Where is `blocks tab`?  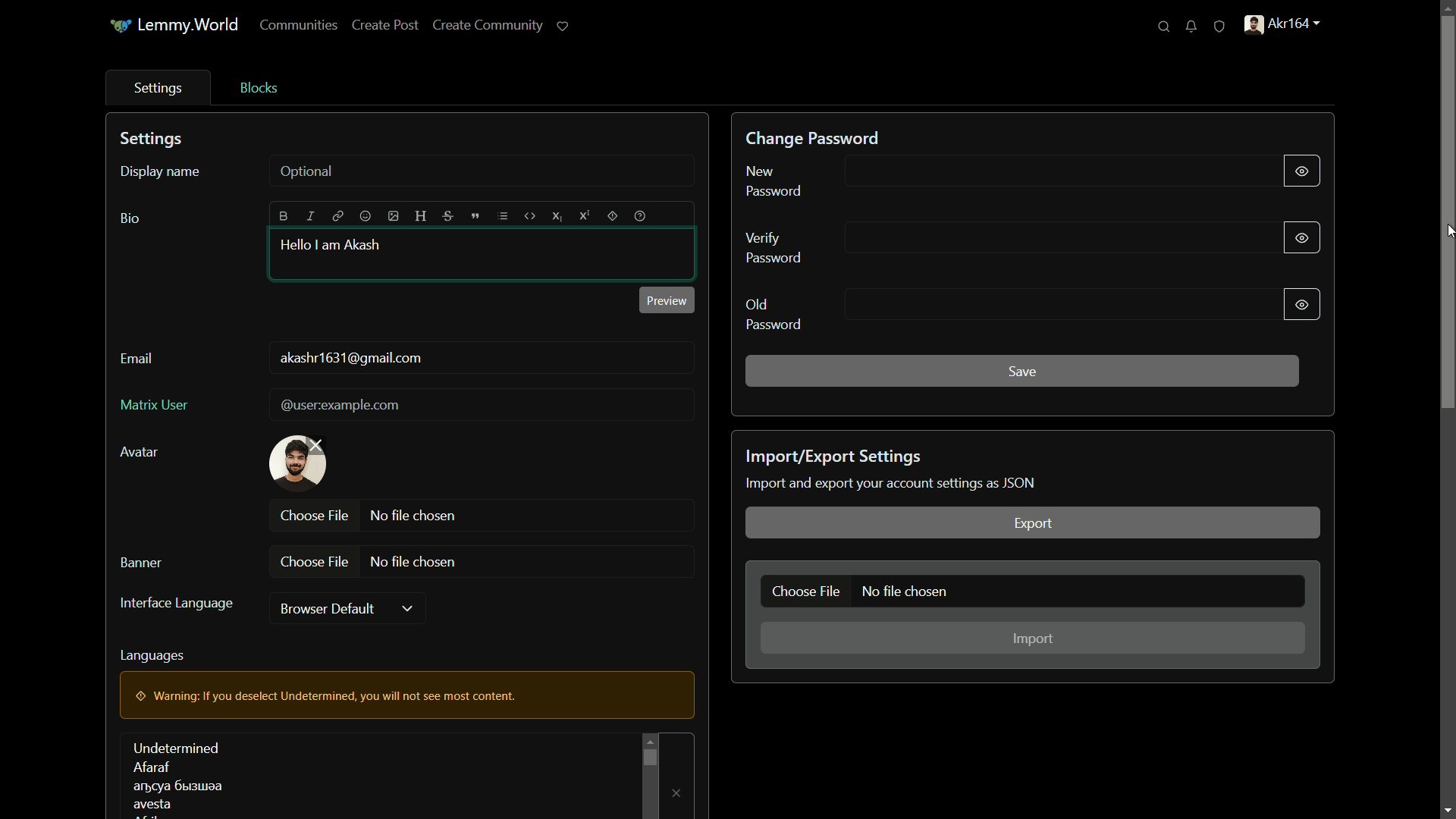
blocks tab is located at coordinates (259, 89).